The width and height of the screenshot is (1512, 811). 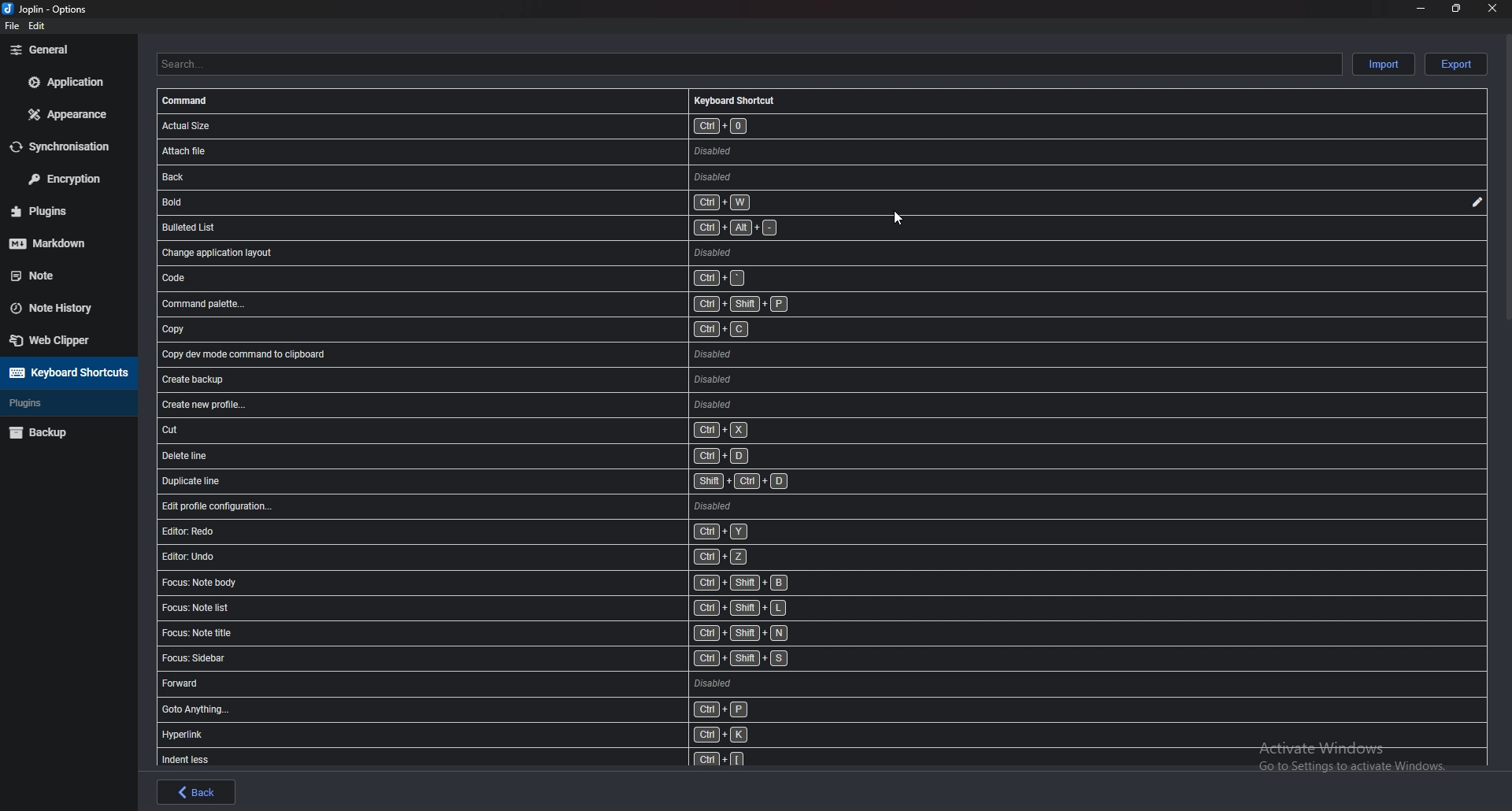 I want to click on shortcut, so click(x=511, y=558).